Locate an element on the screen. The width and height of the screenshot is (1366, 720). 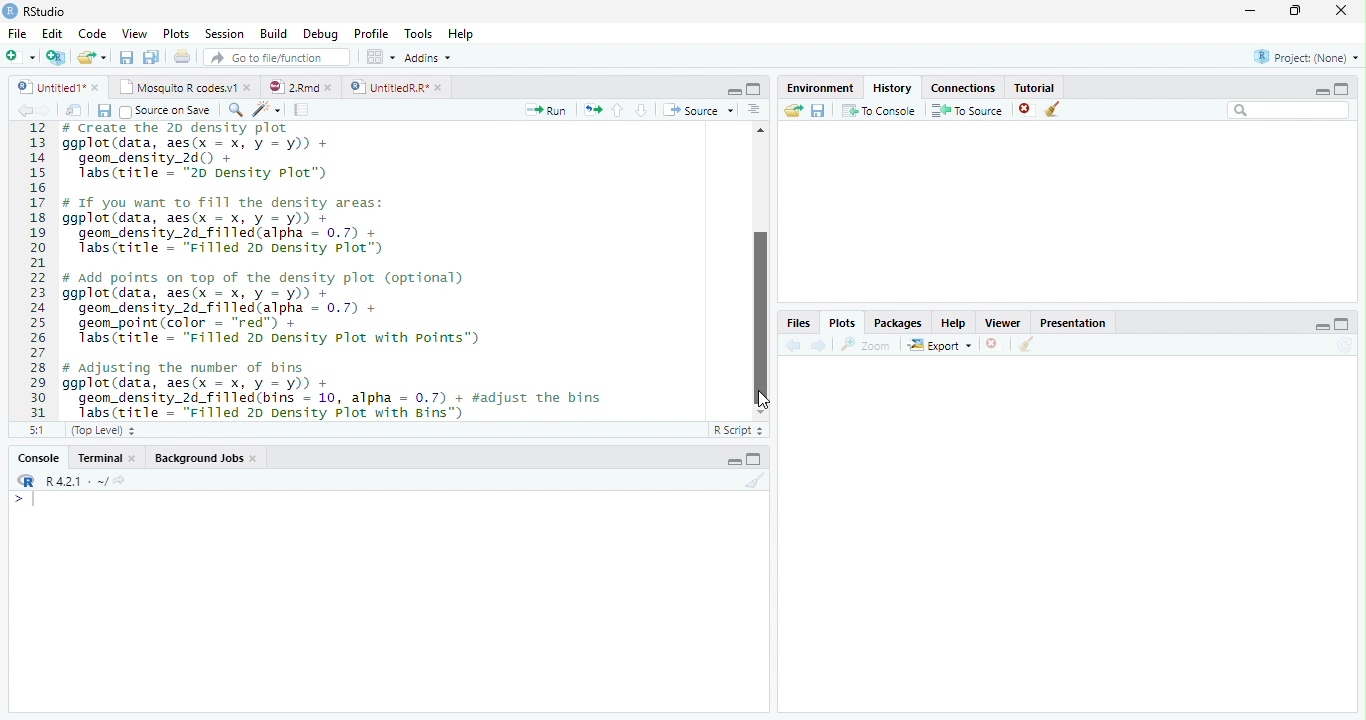
File is located at coordinates (17, 35).